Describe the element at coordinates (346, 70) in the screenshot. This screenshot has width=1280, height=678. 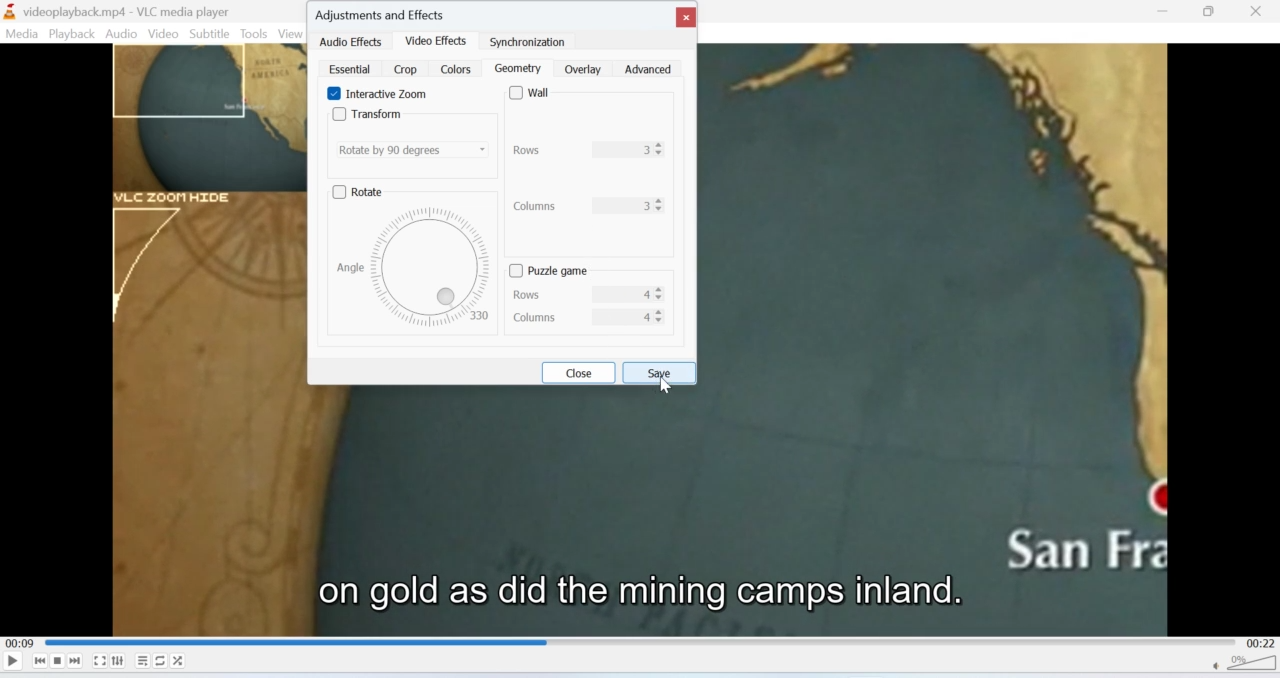
I see `essential` at that location.